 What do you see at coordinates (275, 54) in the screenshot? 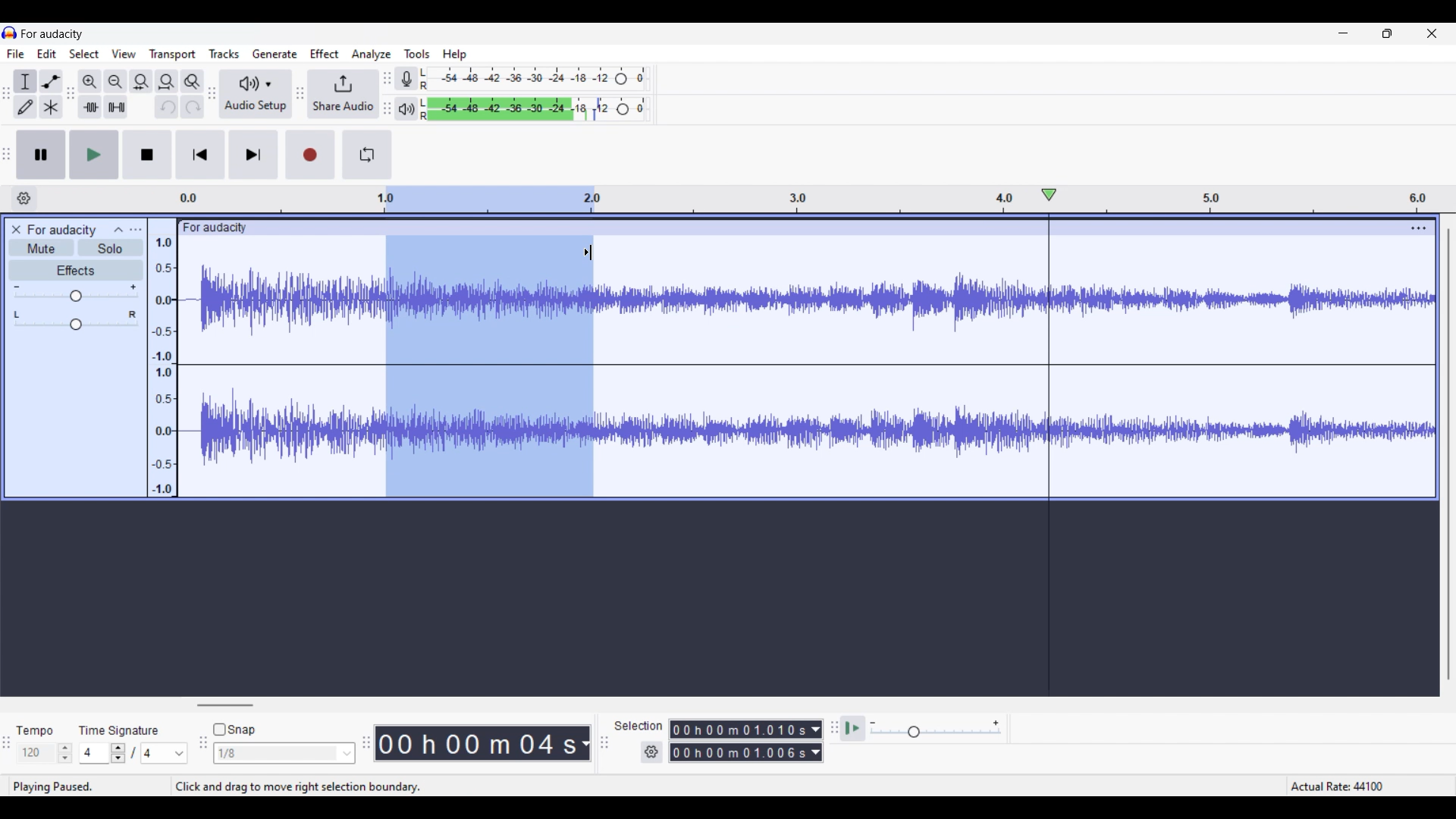
I see `Generate menu` at bounding box center [275, 54].